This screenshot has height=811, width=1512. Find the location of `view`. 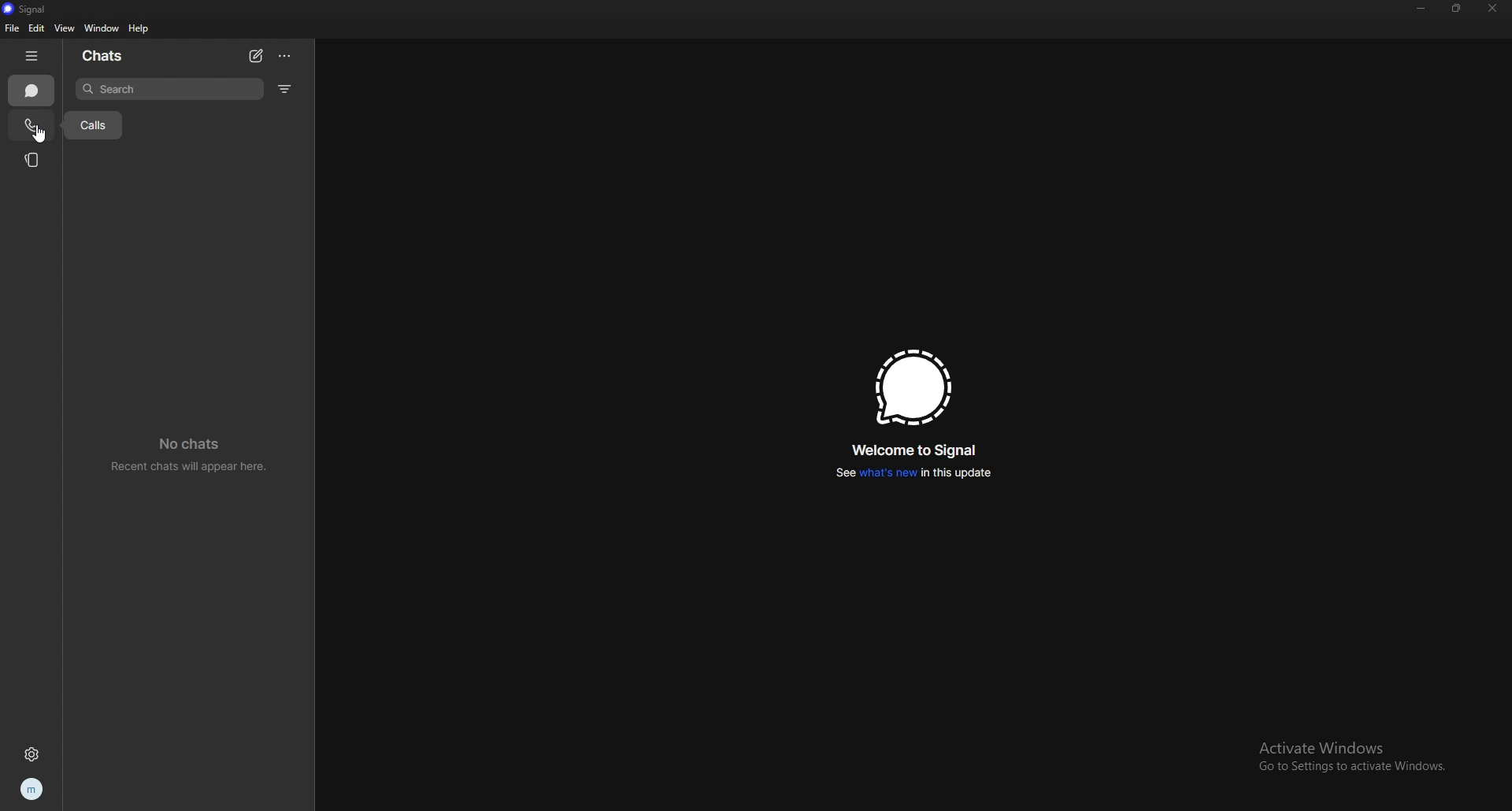

view is located at coordinates (64, 28).